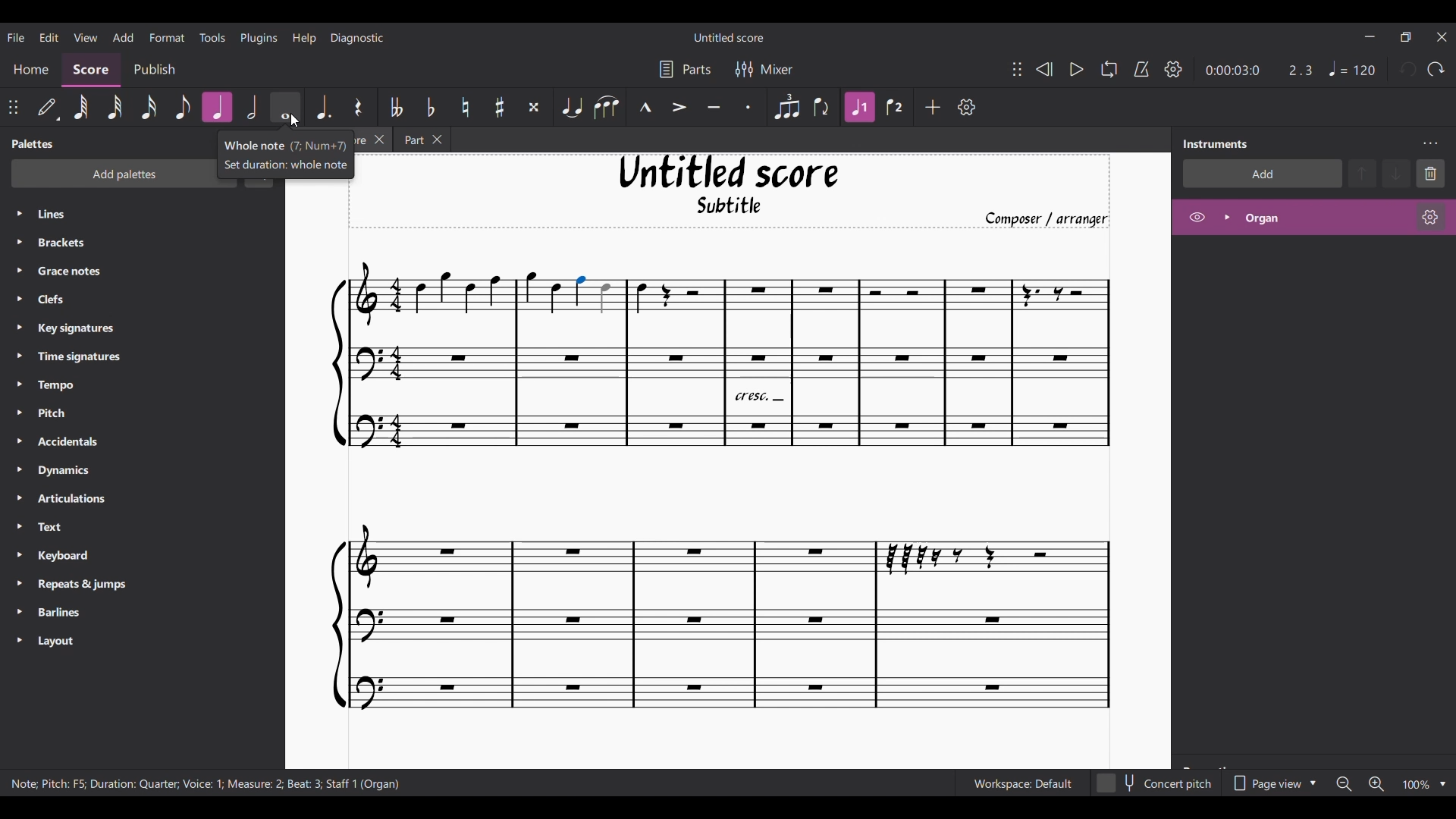  What do you see at coordinates (395, 107) in the screenshot?
I see `Toggle double flat` at bounding box center [395, 107].